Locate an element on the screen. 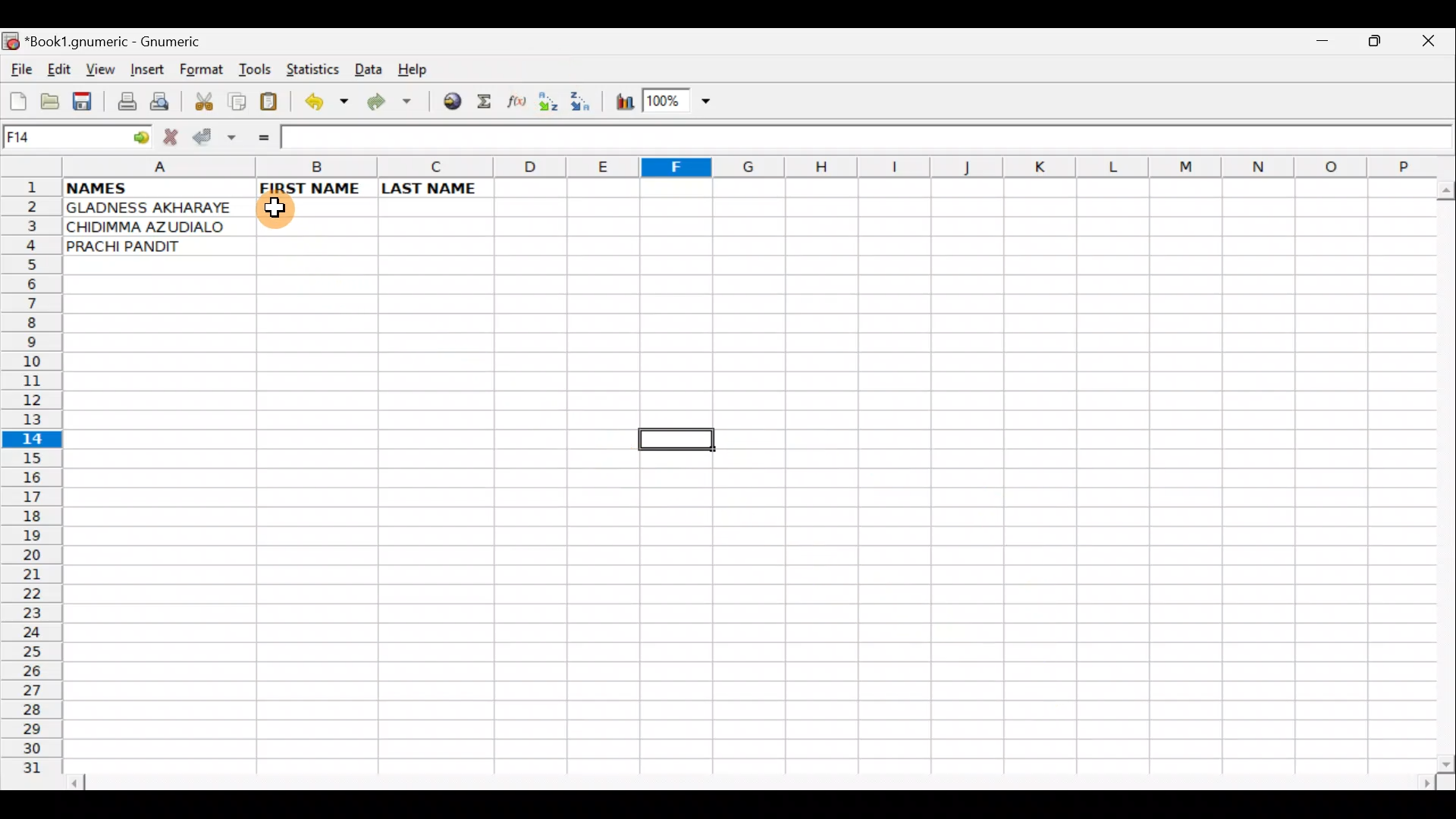 Image resolution: width=1456 pixels, height=819 pixels. NAMES is located at coordinates (158, 189).